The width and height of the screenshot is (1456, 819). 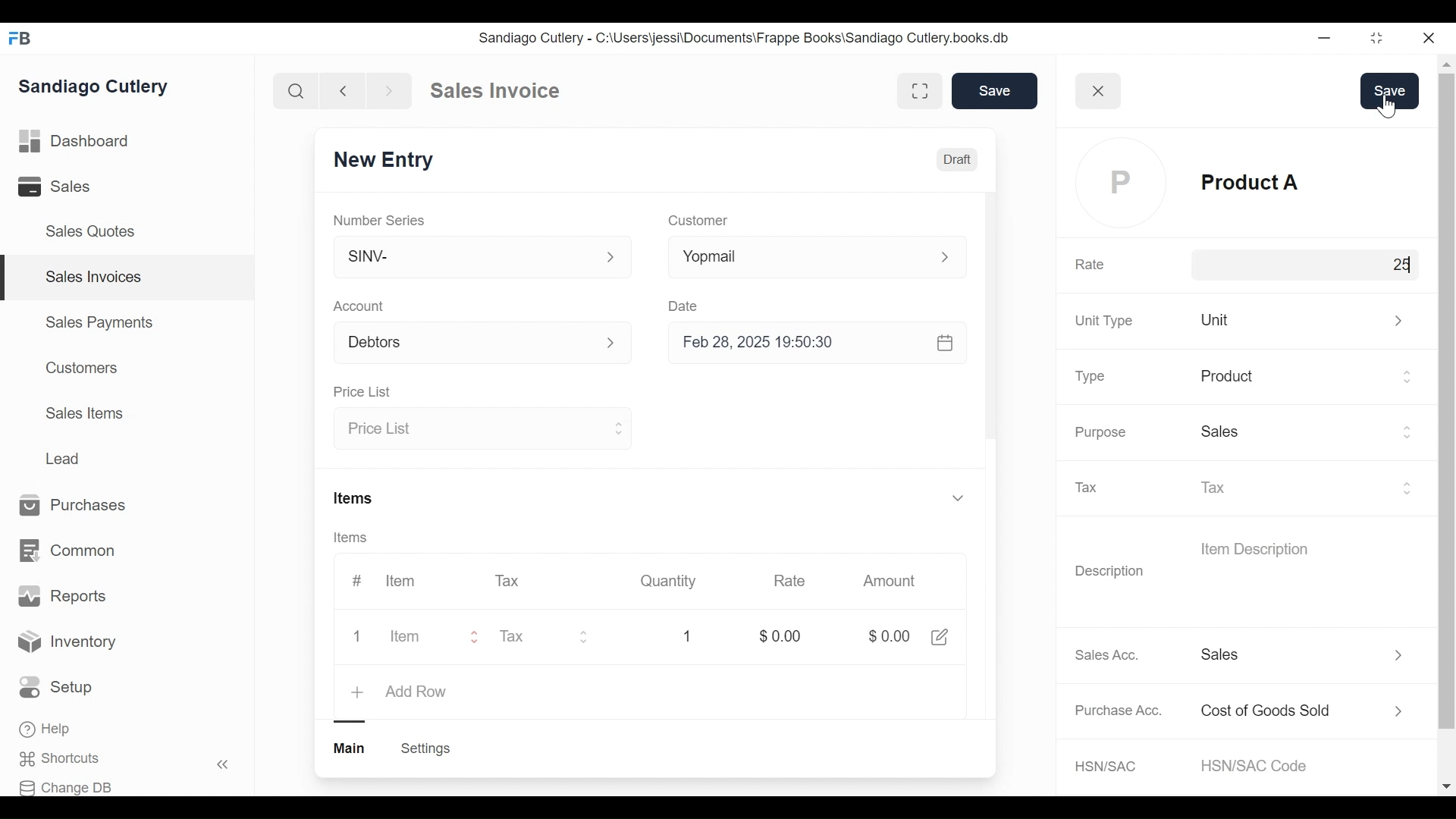 I want to click on Create, so click(x=425, y=749).